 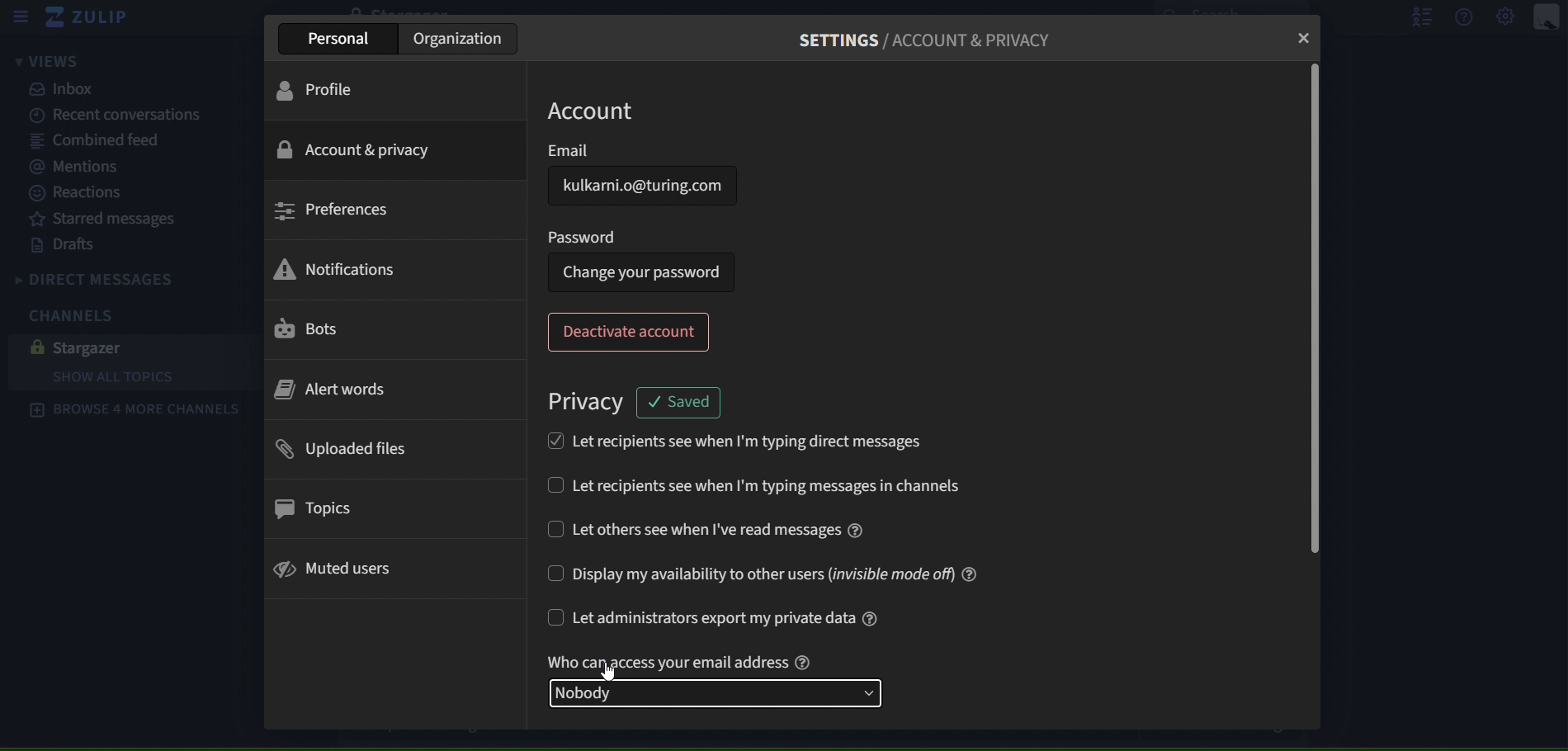 I want to click on notifications, so click(x=334, y=271).